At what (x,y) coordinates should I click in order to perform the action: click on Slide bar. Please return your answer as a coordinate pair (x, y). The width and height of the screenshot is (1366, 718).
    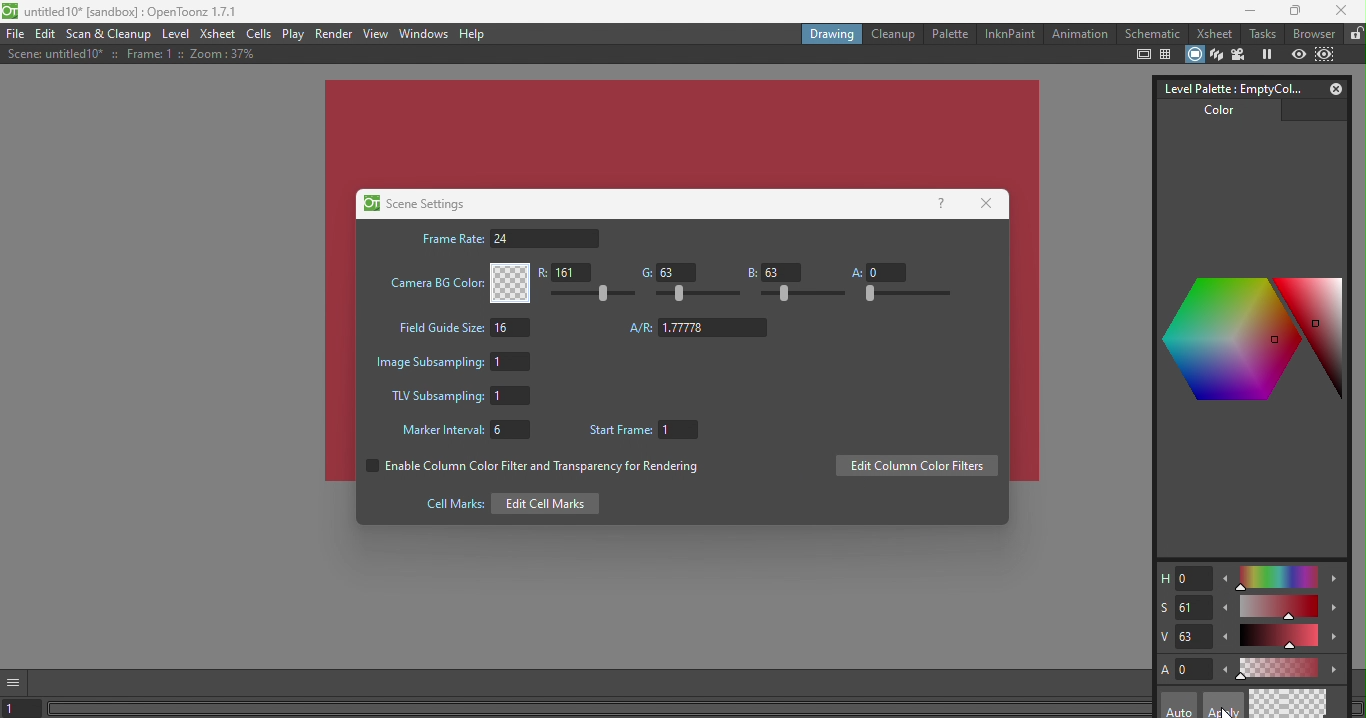
    Looking at the image, I should click on (1278, 667).